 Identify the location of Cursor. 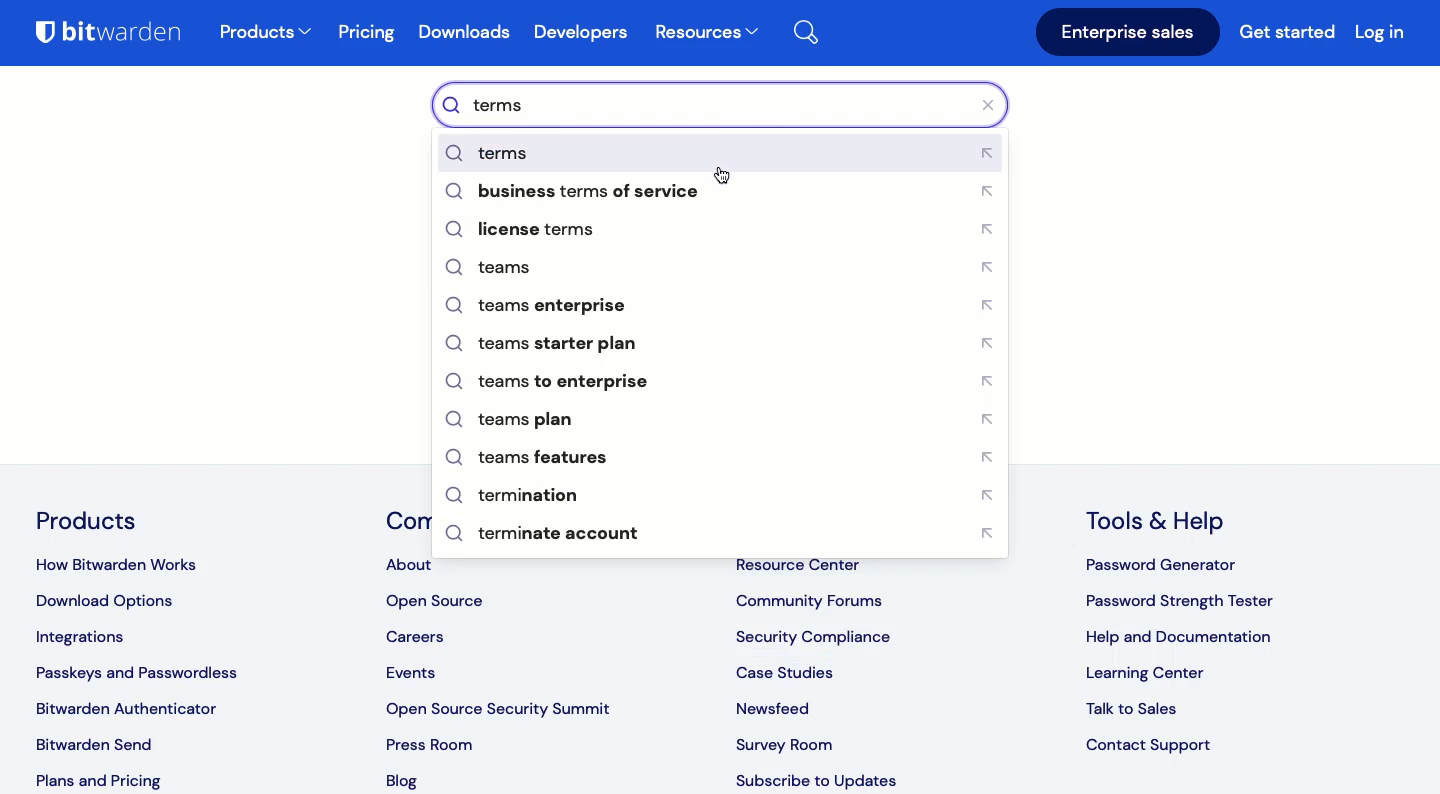
(722, 175).